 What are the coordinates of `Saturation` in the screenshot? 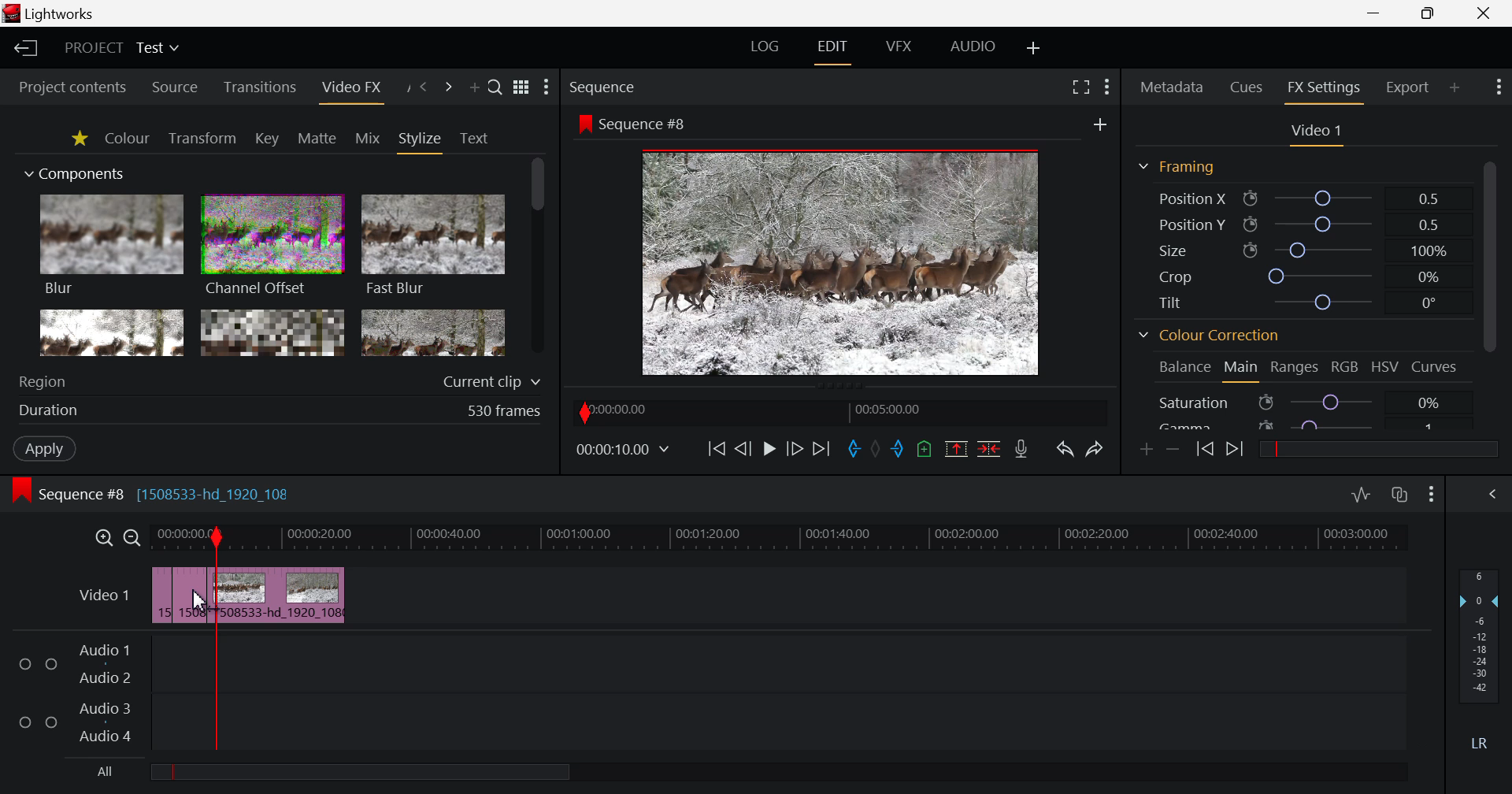 It's located at (1310, 400).